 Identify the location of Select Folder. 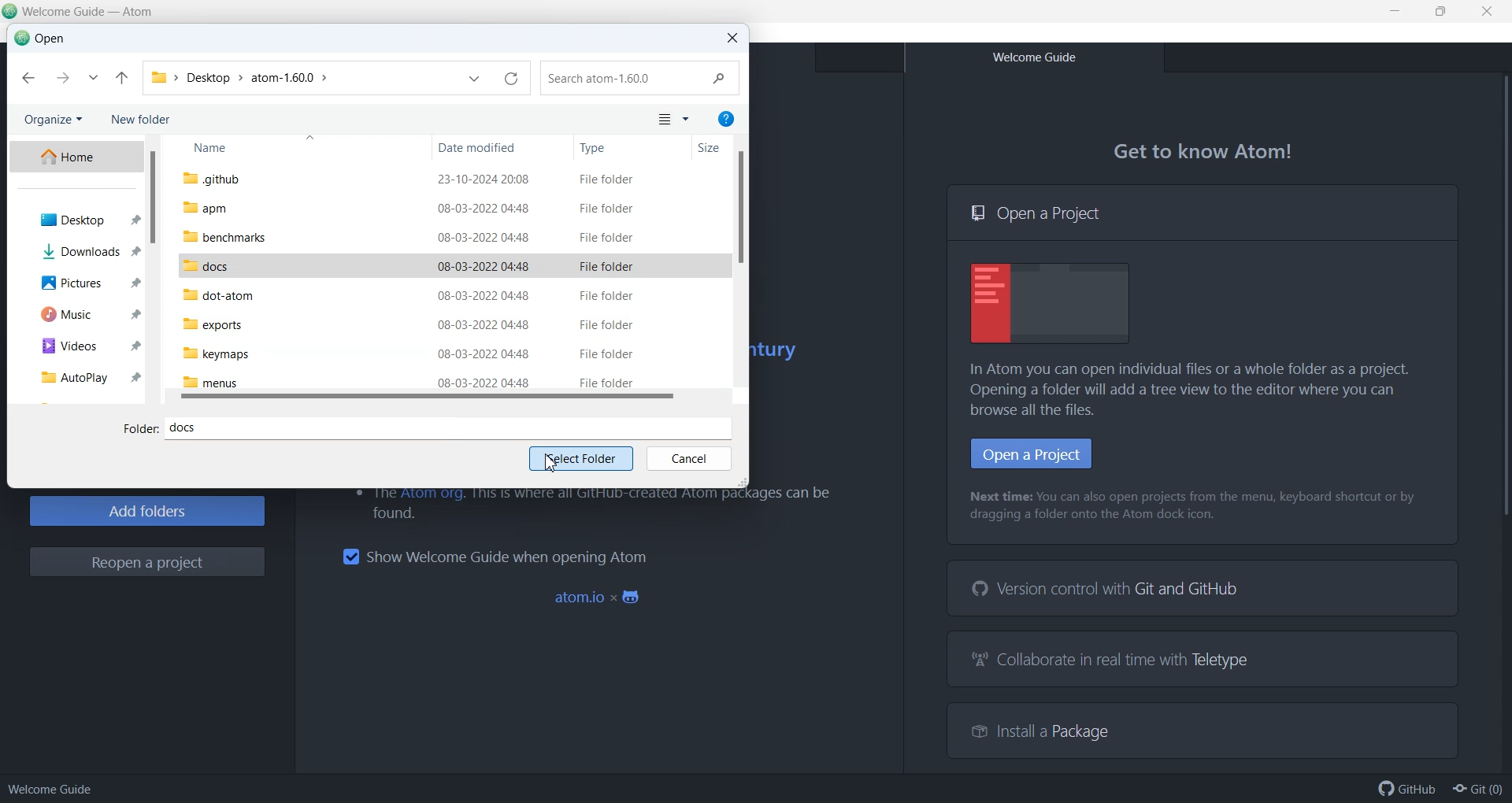
(580, 460).